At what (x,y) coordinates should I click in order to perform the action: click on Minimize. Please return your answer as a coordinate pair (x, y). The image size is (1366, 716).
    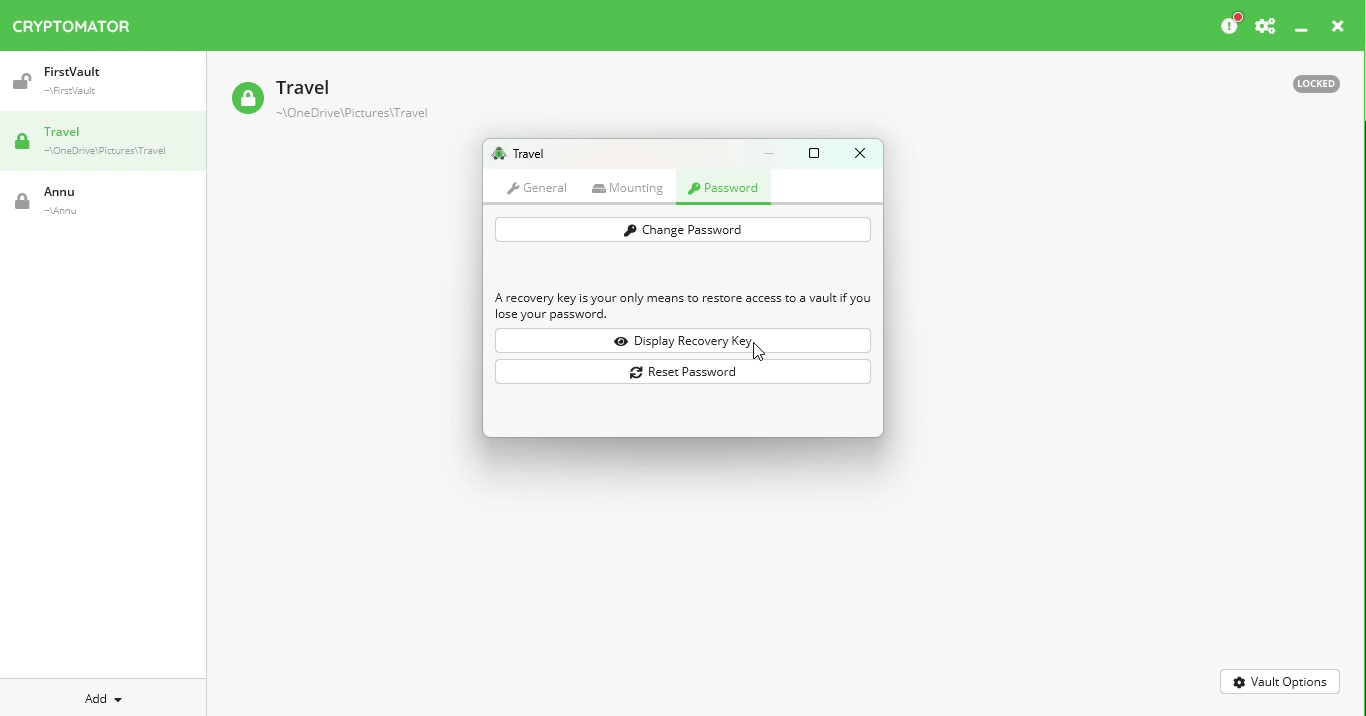
    Looking at the image, I should click on (1302, 31).